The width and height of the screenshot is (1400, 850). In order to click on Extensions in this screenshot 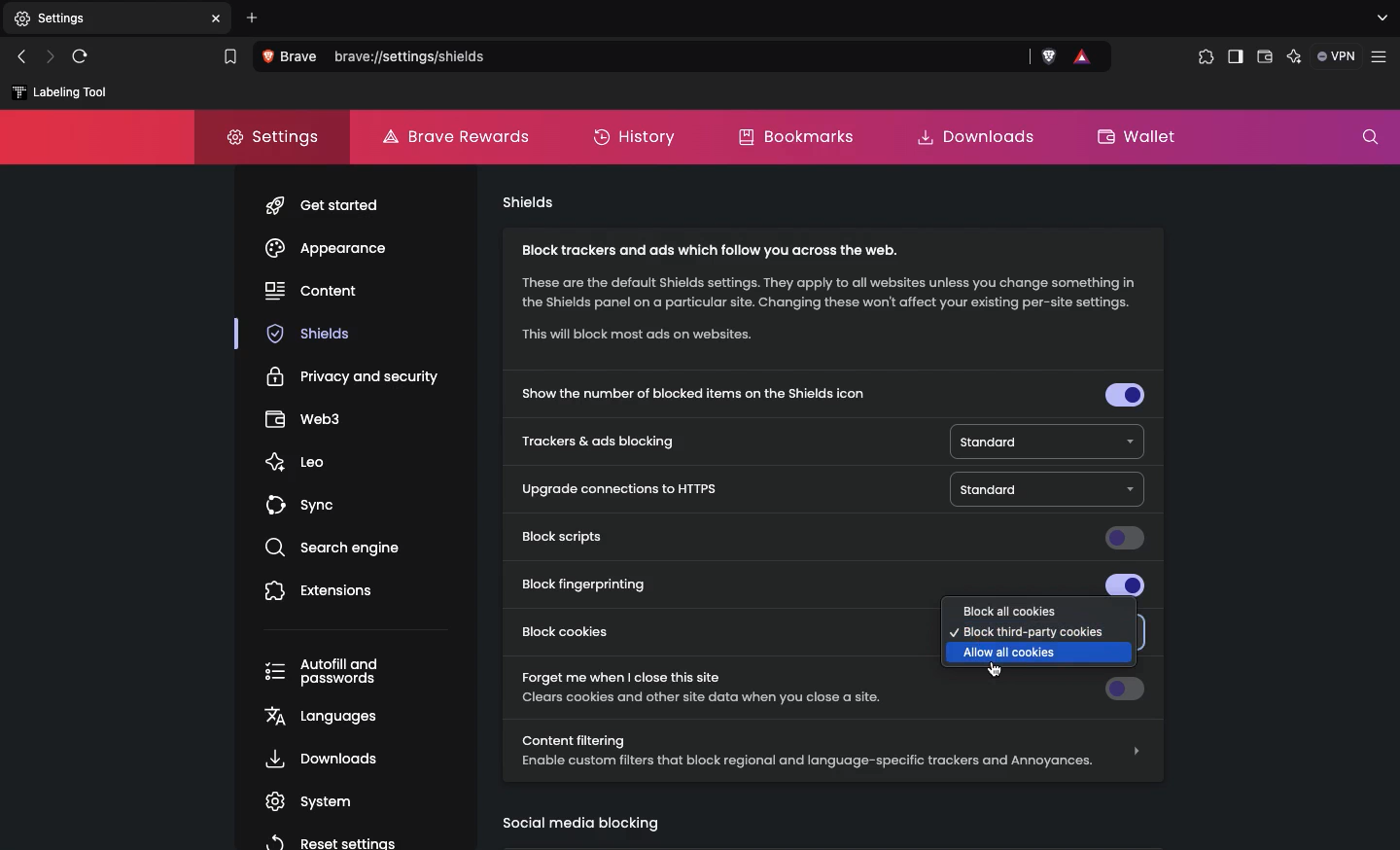, I will do `click(324, 594)`.